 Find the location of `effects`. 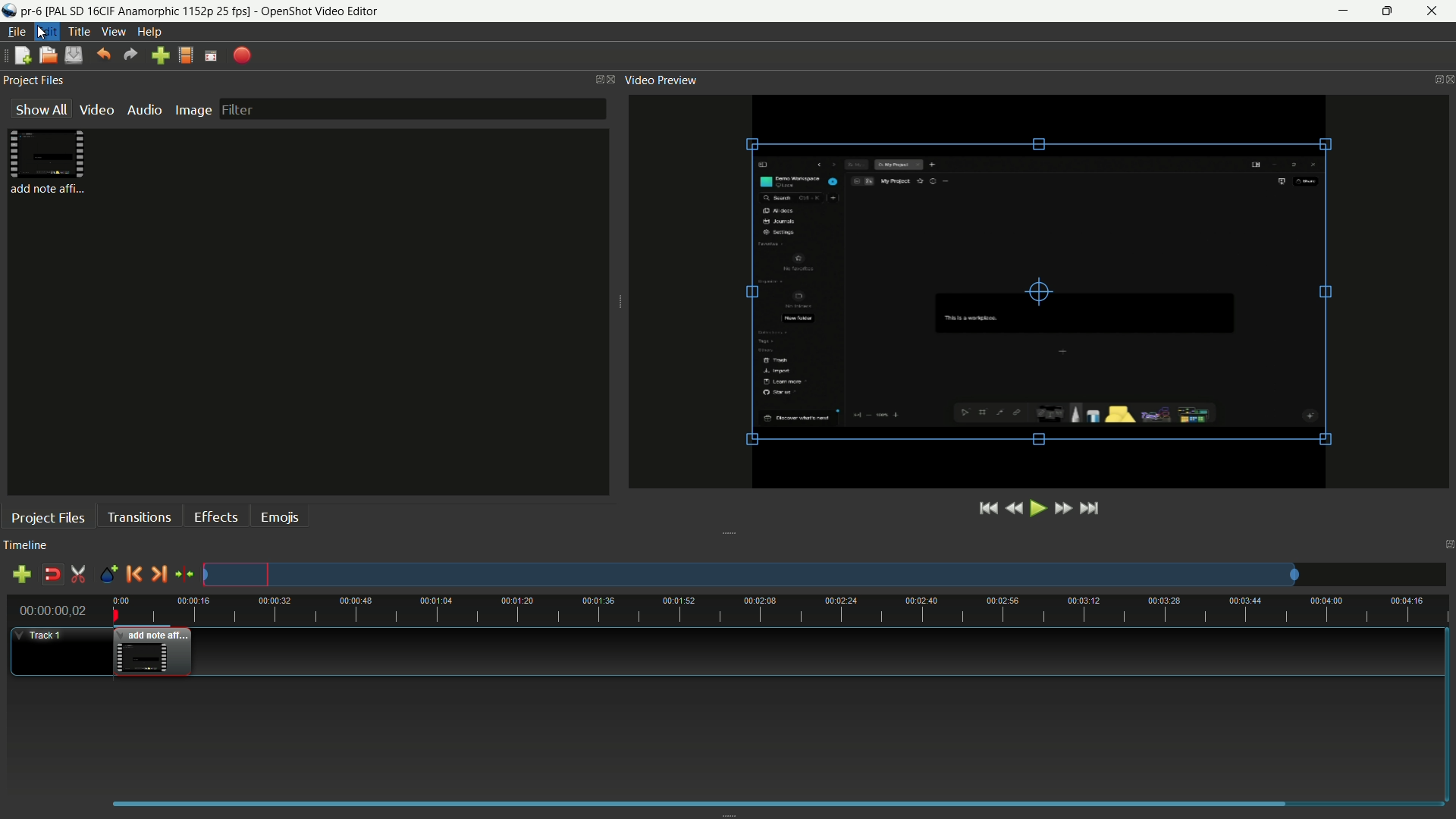

effects is located at coordinates (216, 516).